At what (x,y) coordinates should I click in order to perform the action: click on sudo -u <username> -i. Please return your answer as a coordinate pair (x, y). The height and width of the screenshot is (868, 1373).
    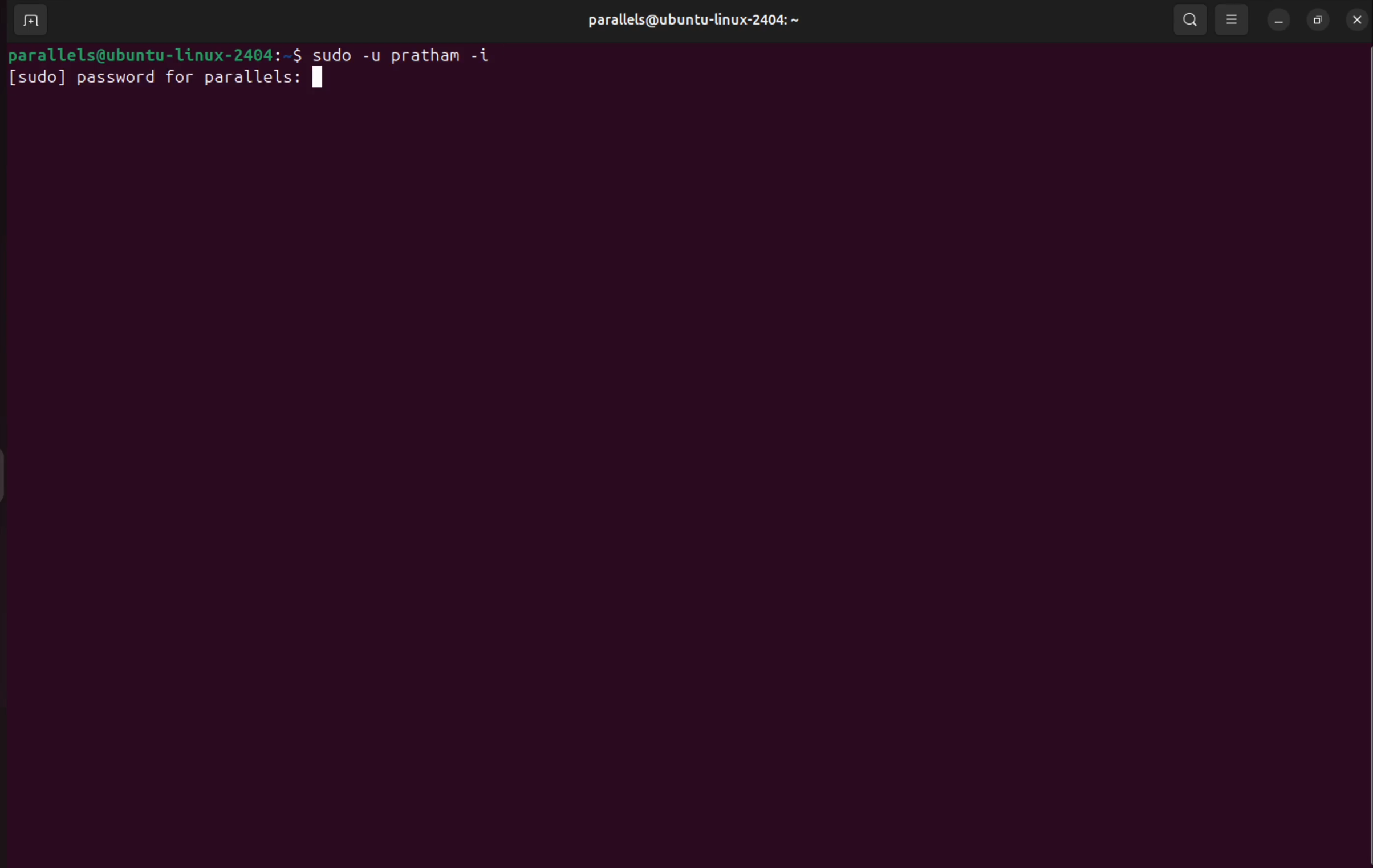
    Looking at the image, I should click on (415, 52).